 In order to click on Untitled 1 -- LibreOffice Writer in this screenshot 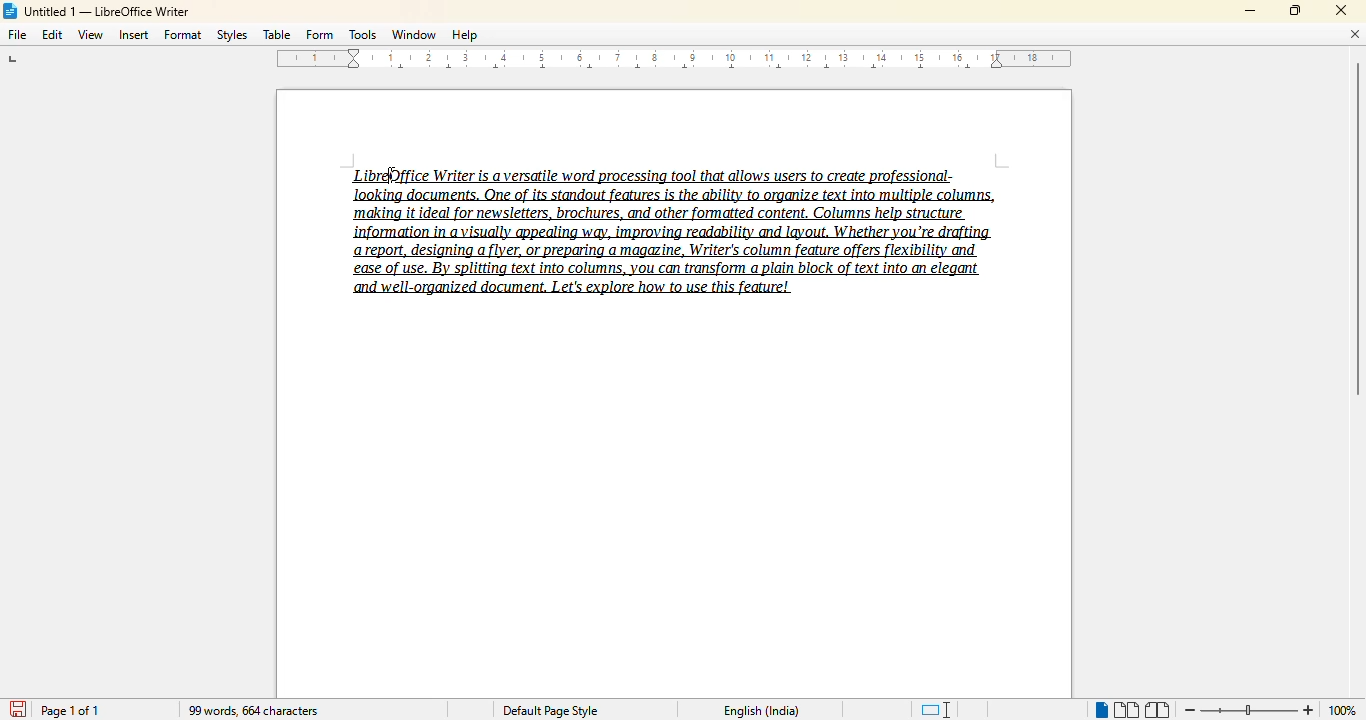, I will do `click(110, 13)`.